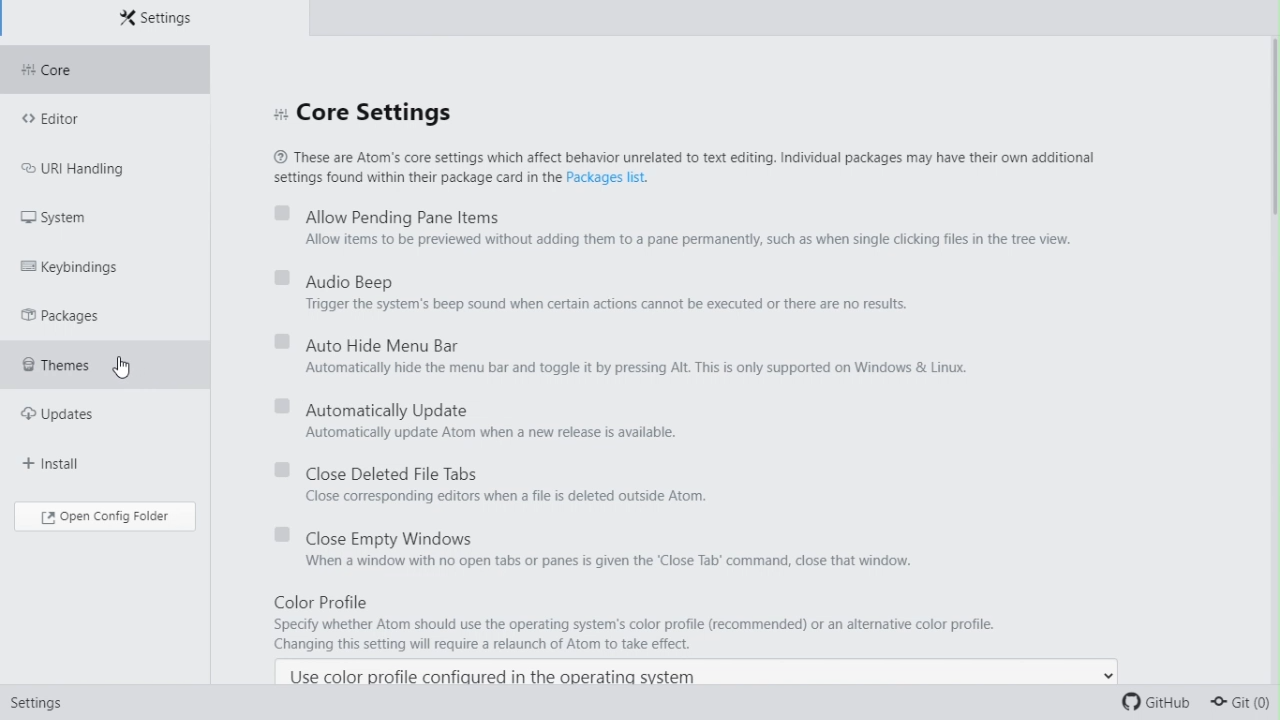 Image resolution: width=1280 pixels, height=720 pixels. I want to click on Keybinding, so click(79, 266).